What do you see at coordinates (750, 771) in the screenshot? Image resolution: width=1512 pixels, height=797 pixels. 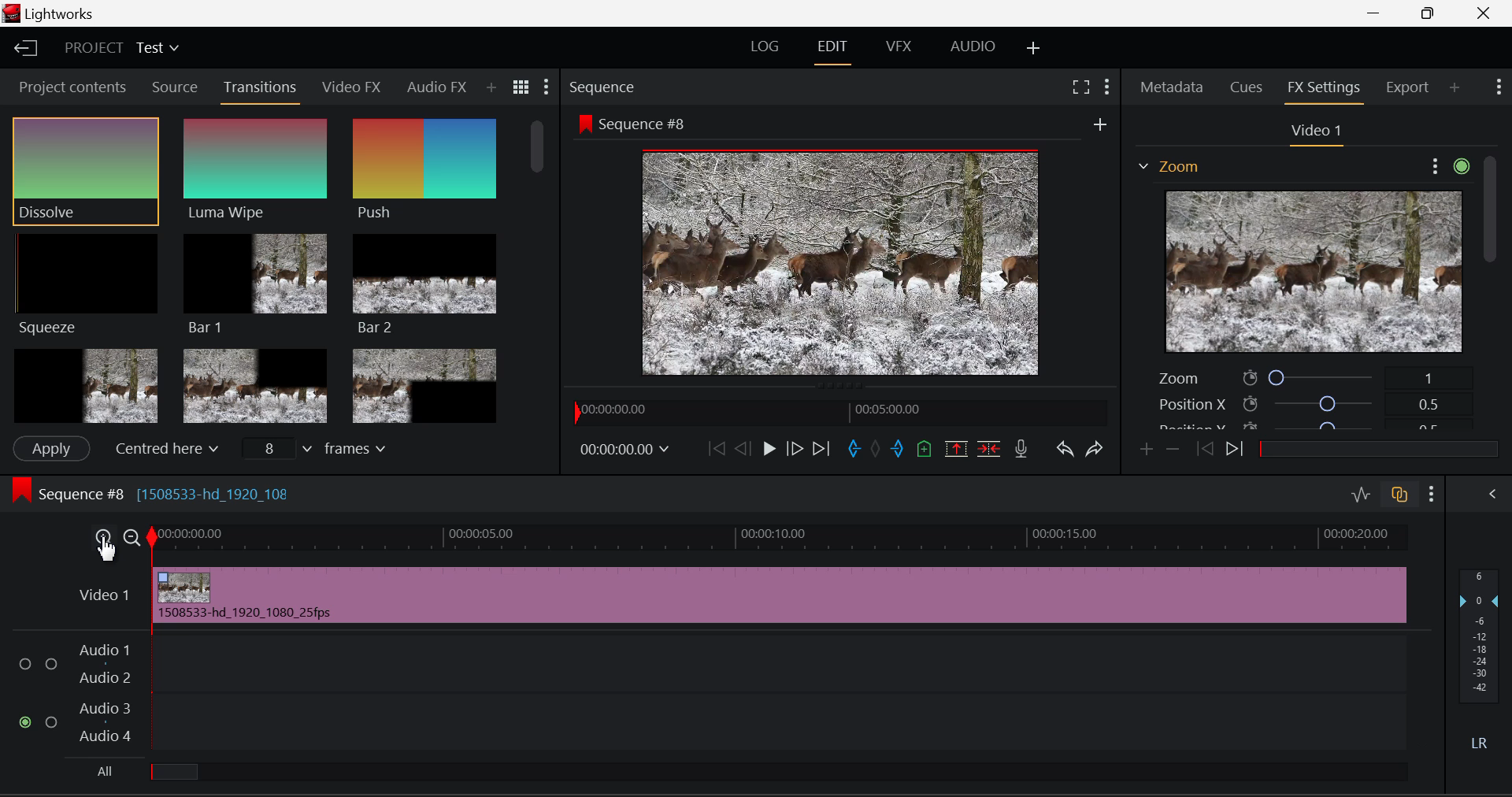 I see `All` at bounding box center [750, 771].